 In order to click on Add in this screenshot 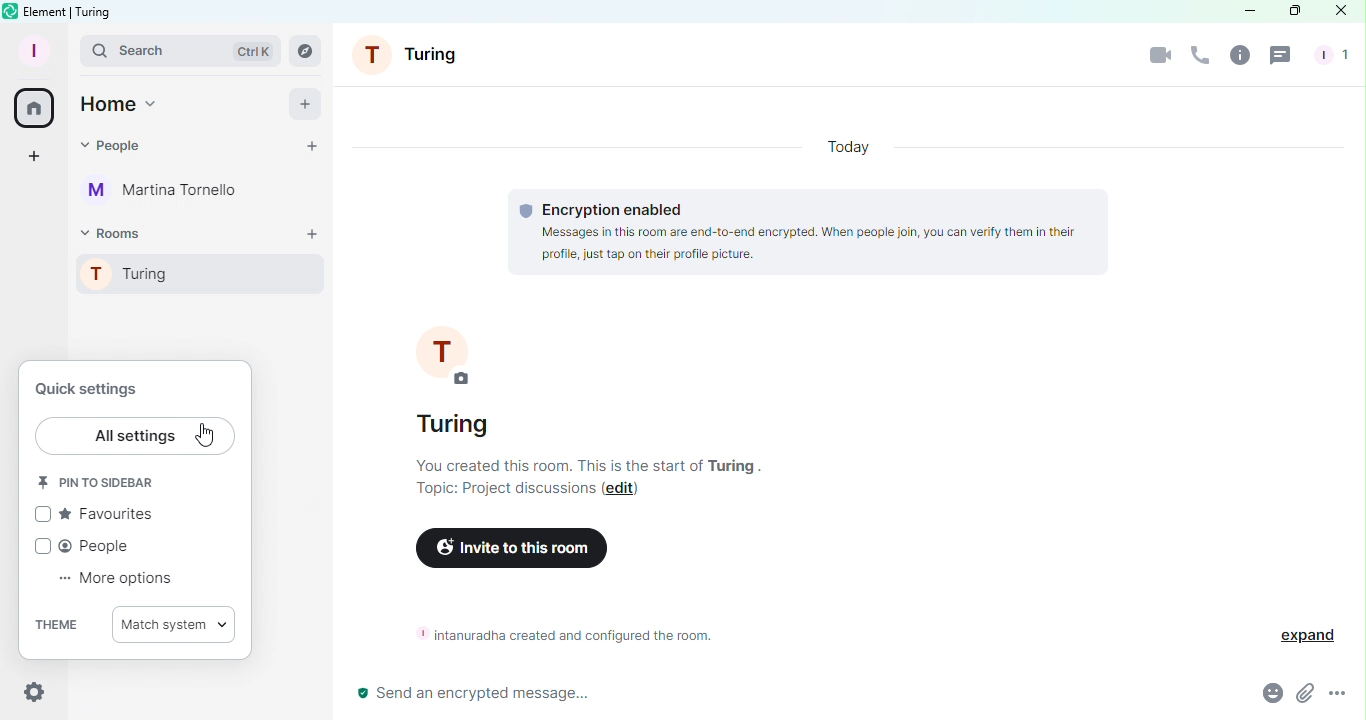, I will do `click(303, 101)`.